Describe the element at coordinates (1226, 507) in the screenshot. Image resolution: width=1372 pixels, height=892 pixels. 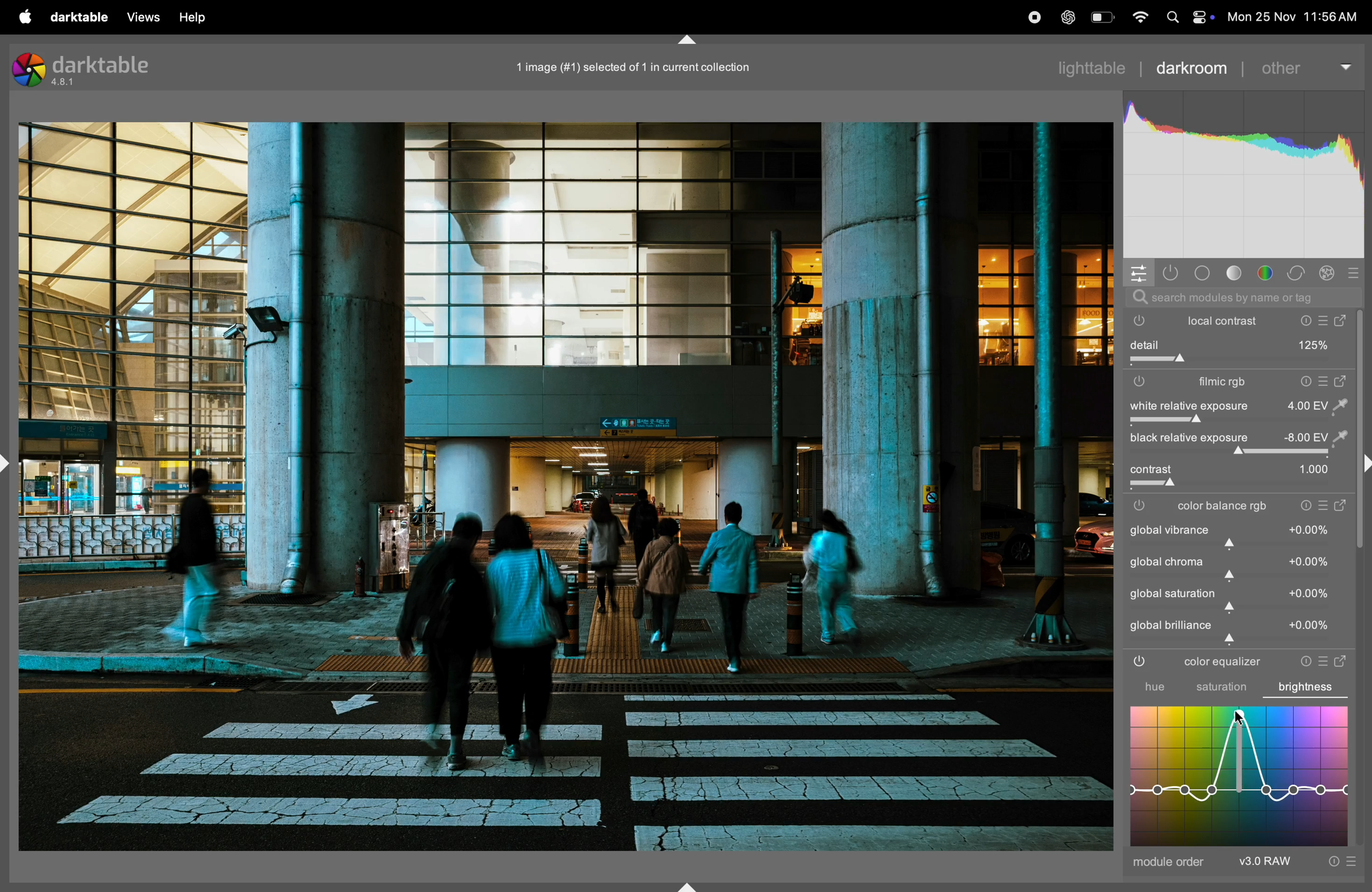
I see `color balance ` at that location.